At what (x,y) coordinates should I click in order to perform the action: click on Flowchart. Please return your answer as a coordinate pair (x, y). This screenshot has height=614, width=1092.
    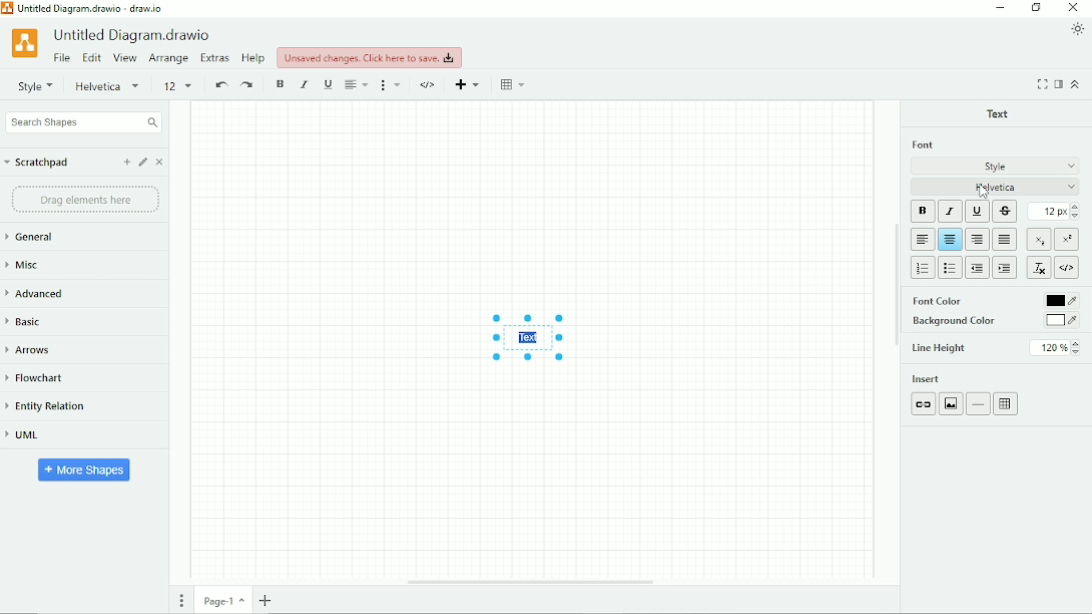
    Looking at the image, I should click on (40, 378).